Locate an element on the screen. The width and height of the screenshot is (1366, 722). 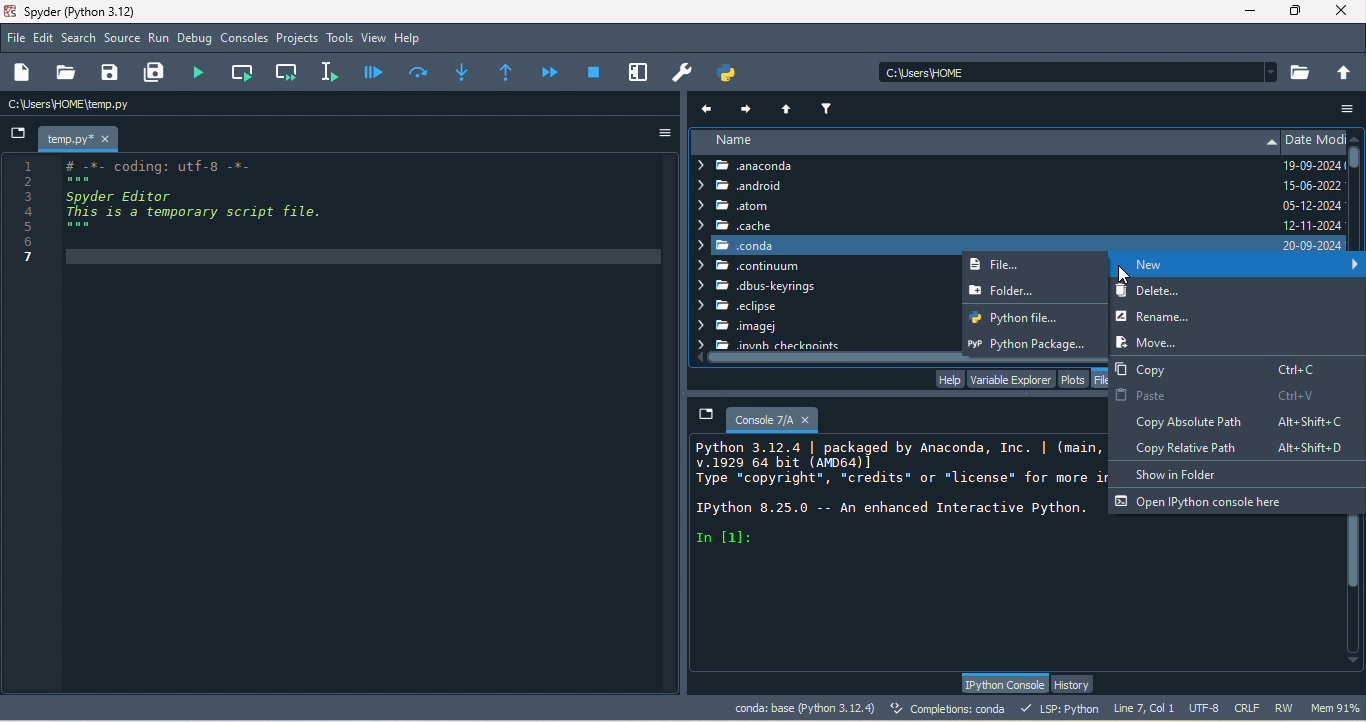
lsp python is located at coordinates (1063, 708).